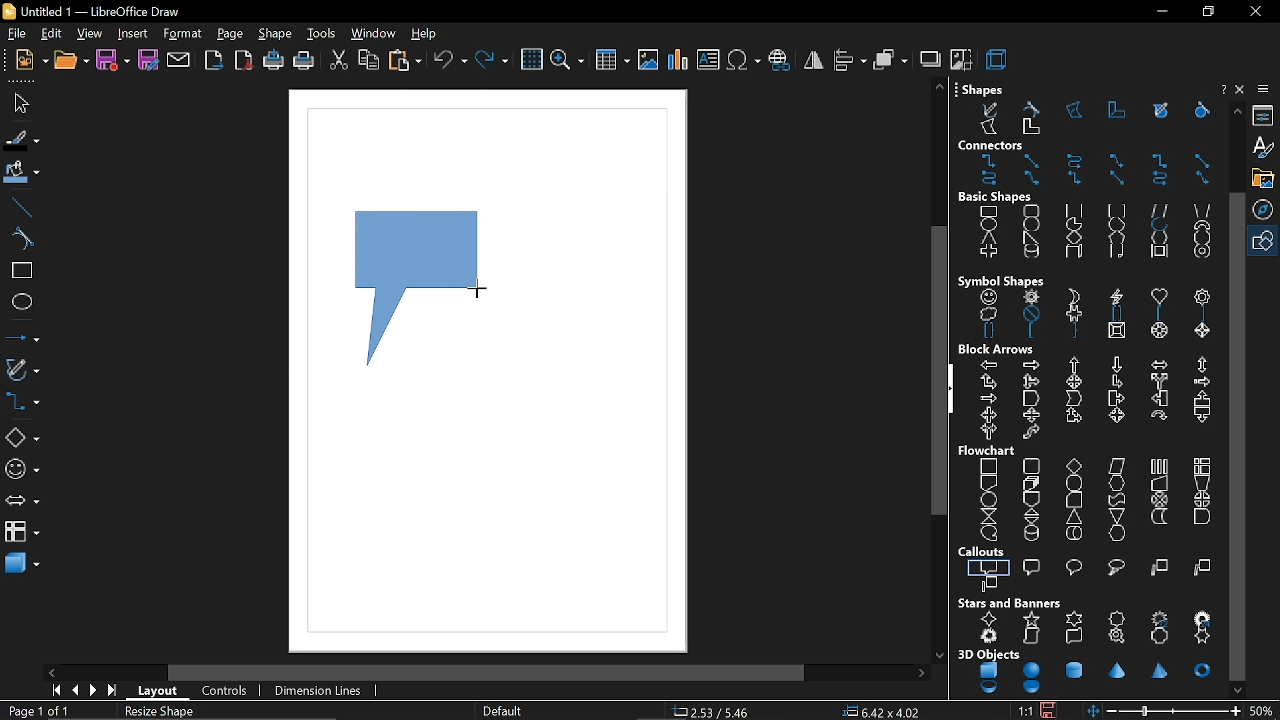 The width and height of the screenshot is (1280, 720). What do you see at coordinates (1076, 566) in the screenshot?
I see `round` at bounding box center [1076, 566].